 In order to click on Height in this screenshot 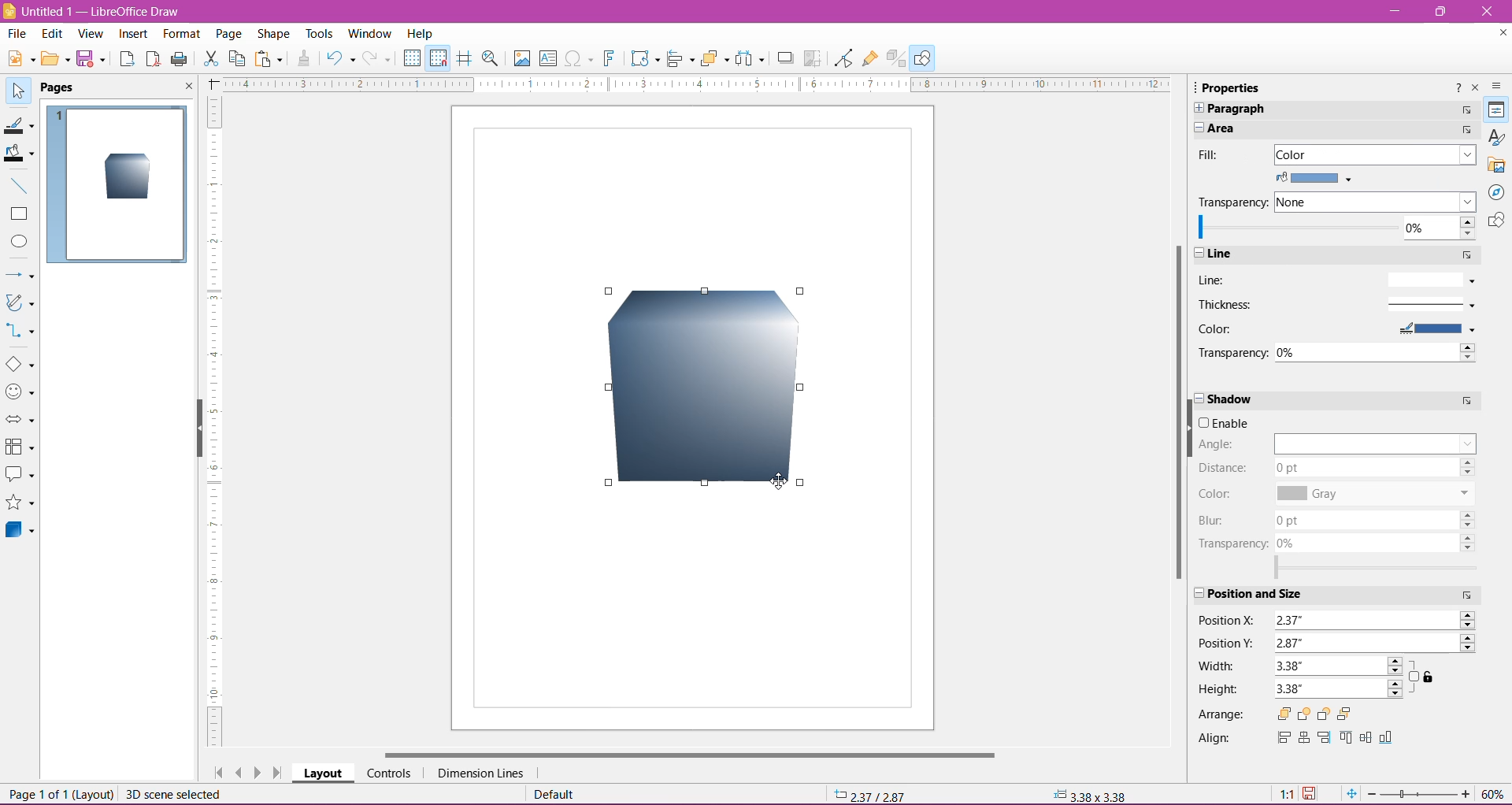, I will do `click(1218, 690)`.